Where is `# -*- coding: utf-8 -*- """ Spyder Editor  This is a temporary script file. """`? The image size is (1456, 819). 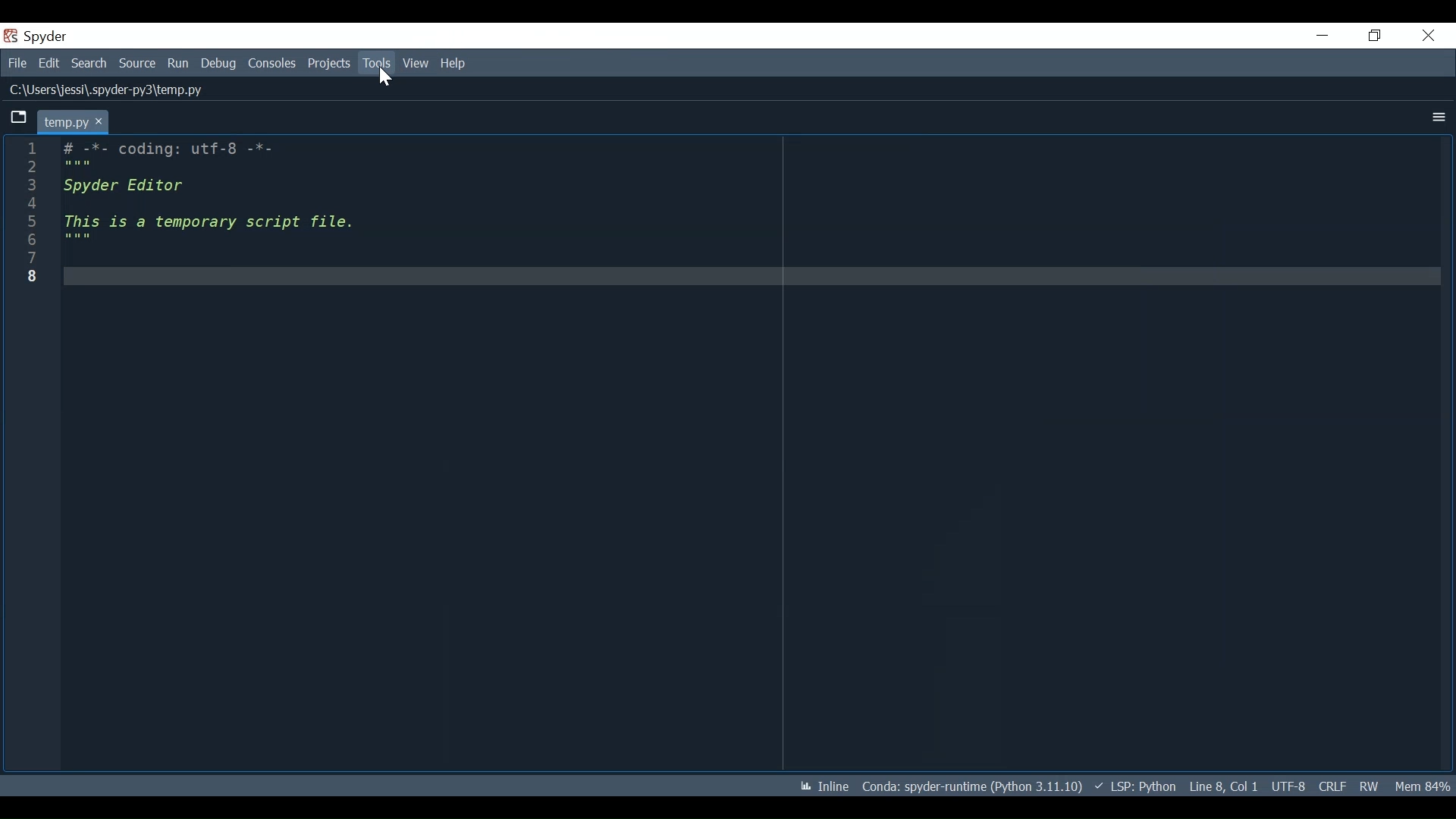
# -*- coding: utf-8 -*- """ Spyder Editor  This is a temporary script file. """ is located at coordinates (751, 455).